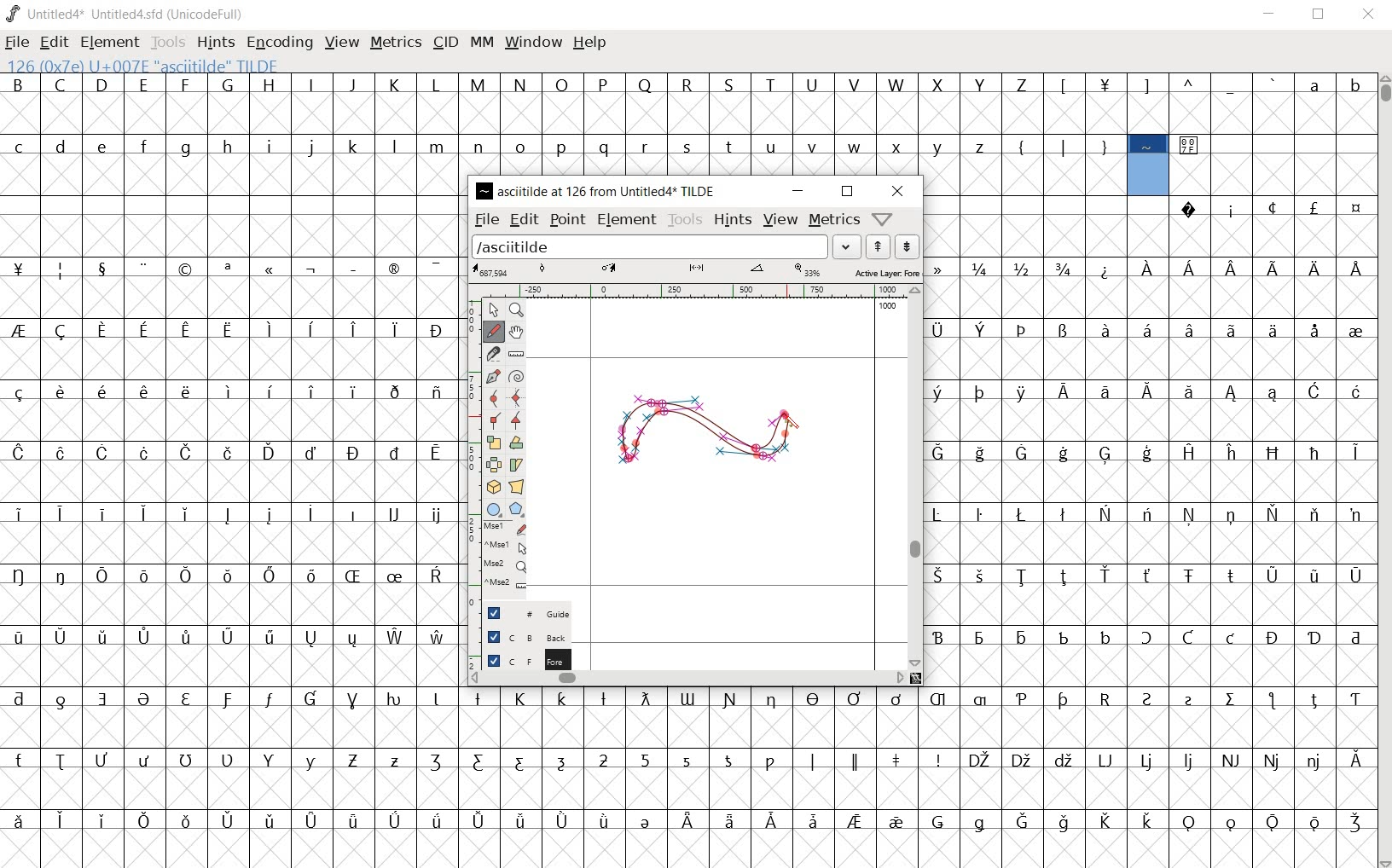  Describe the element at coordinates (833, 221) in the screenshot. I see `metrics` at that location.